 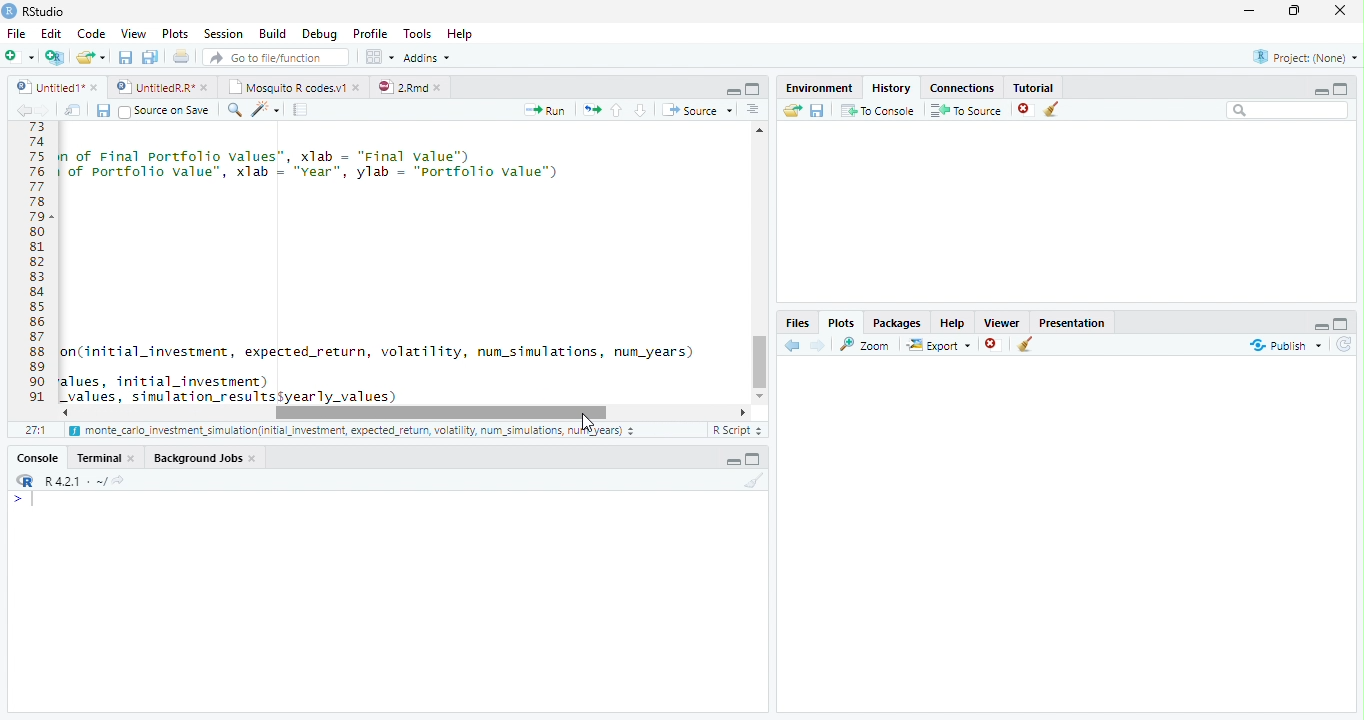 I want to click on Search, so click(x=1288, y=110).